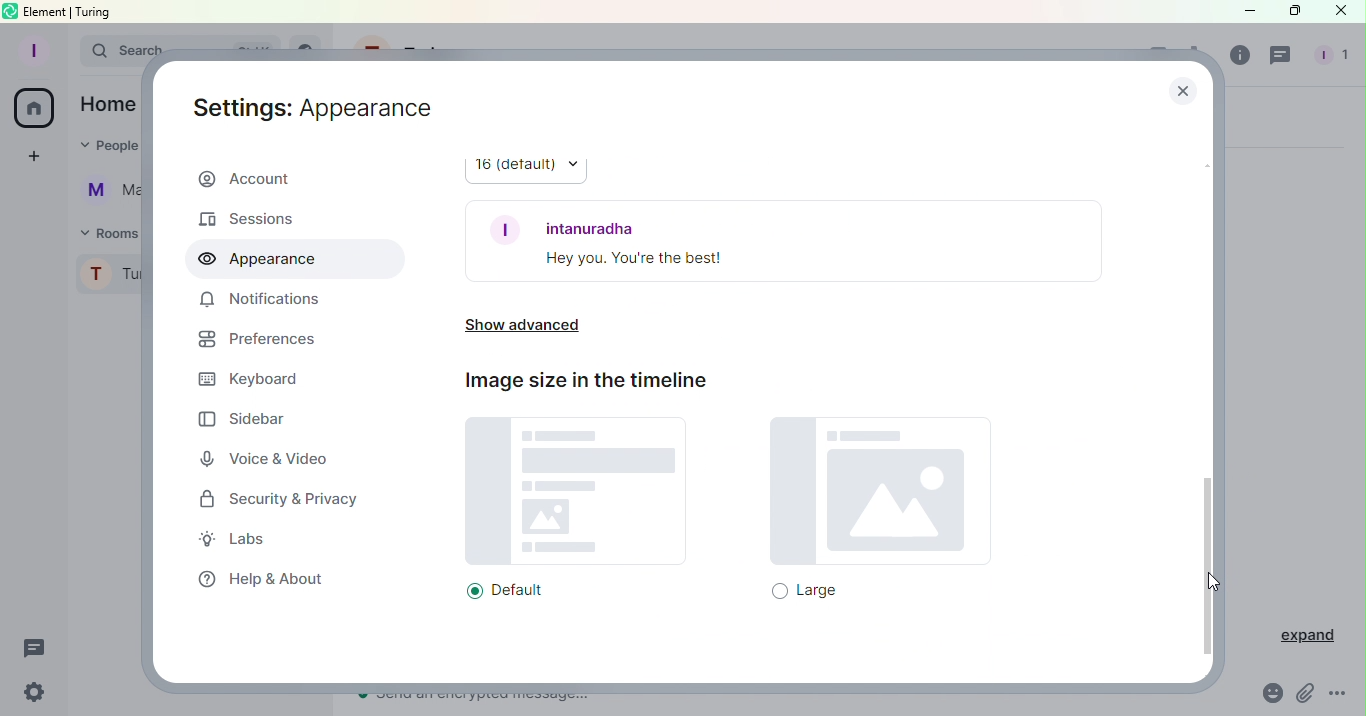 The width and height of the screenshot is (1366, 716). I want to click on Account, so click(279, 179).